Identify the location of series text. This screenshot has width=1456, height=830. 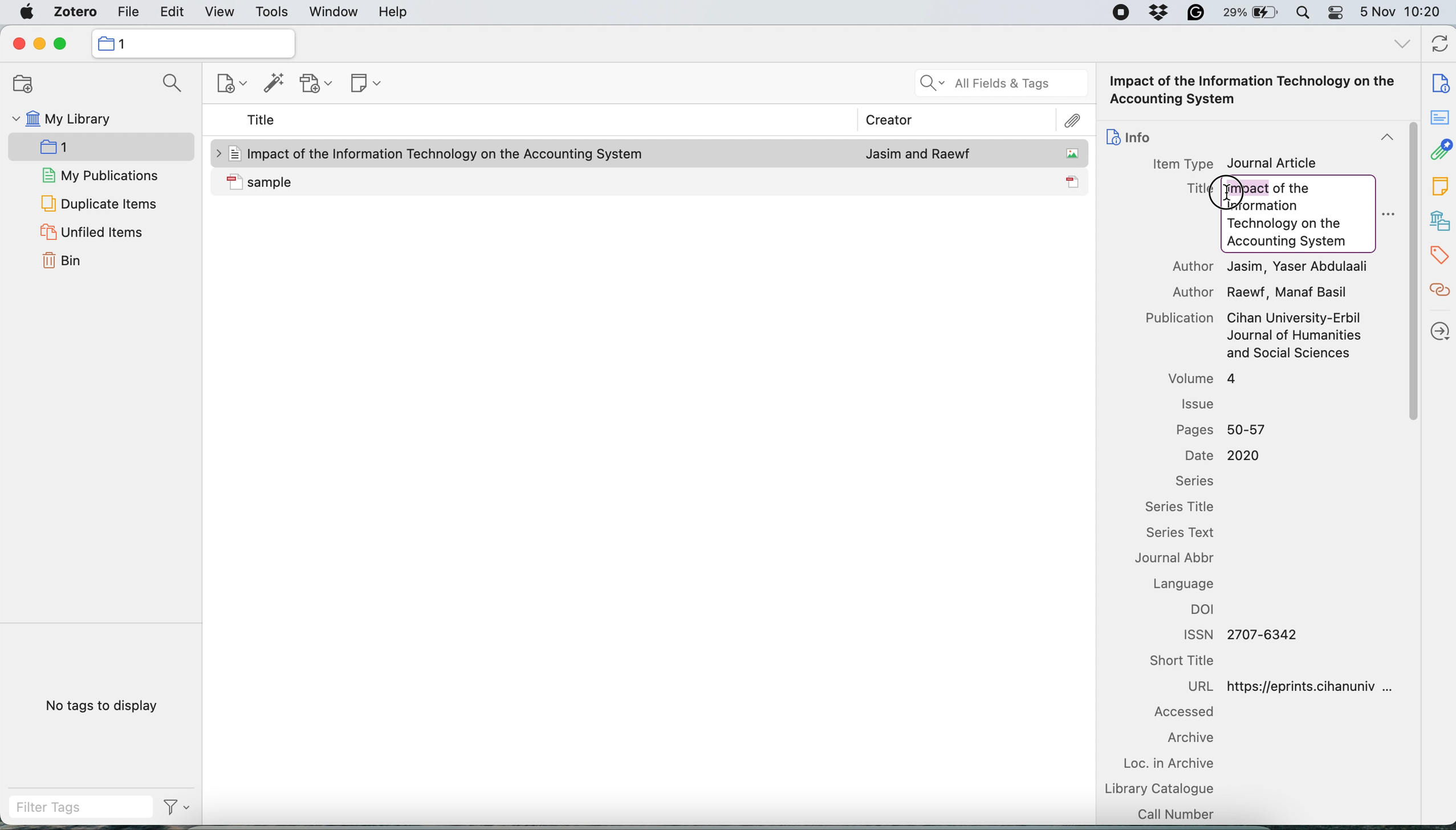
(1187, 533).